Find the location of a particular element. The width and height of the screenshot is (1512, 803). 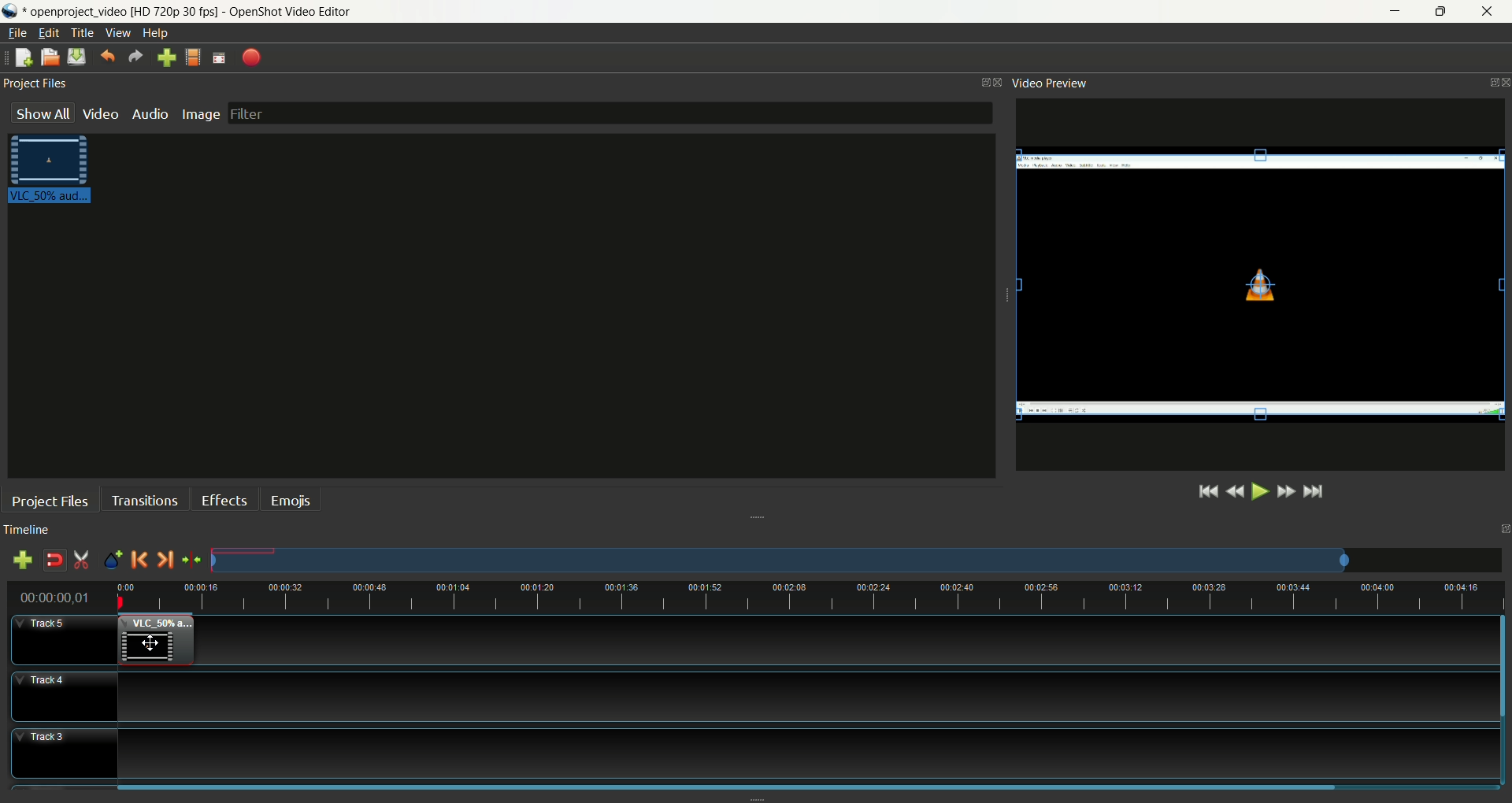

save project is located at coordinates (74, 57).